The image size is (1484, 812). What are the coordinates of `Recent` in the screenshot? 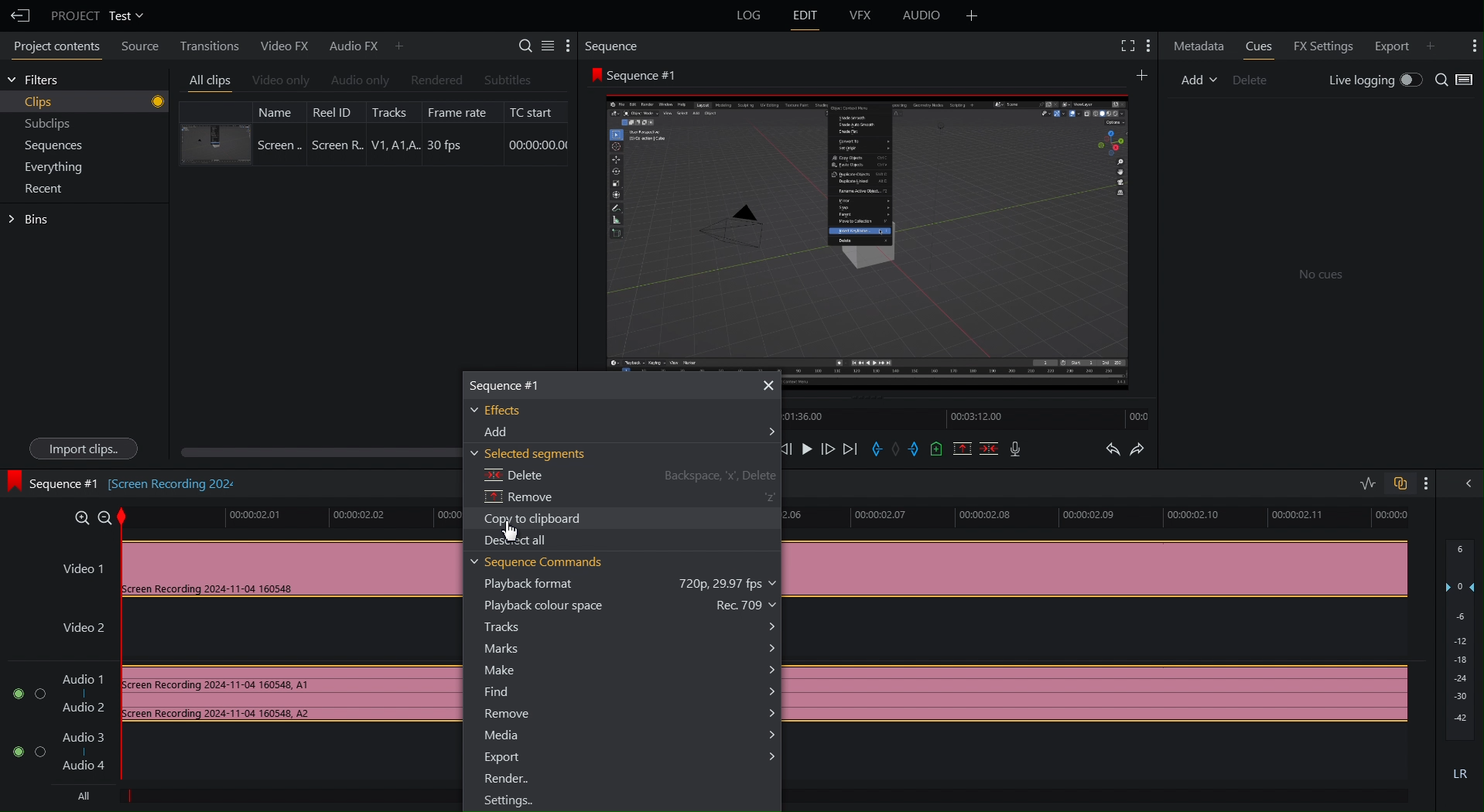 It's located at (40, 188).